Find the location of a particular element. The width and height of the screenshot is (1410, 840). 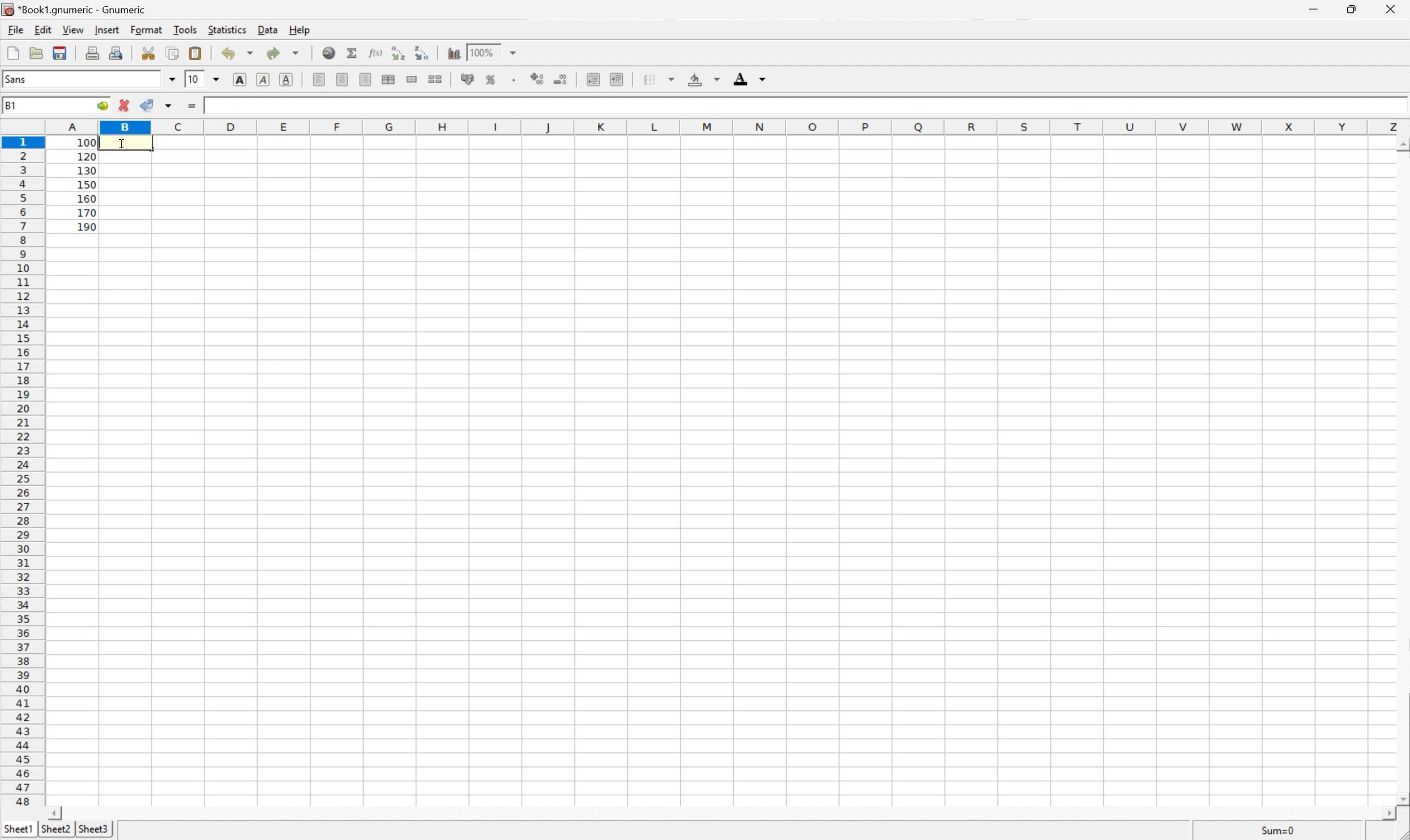

Scroll Up is located at coordinates (1401, 144).